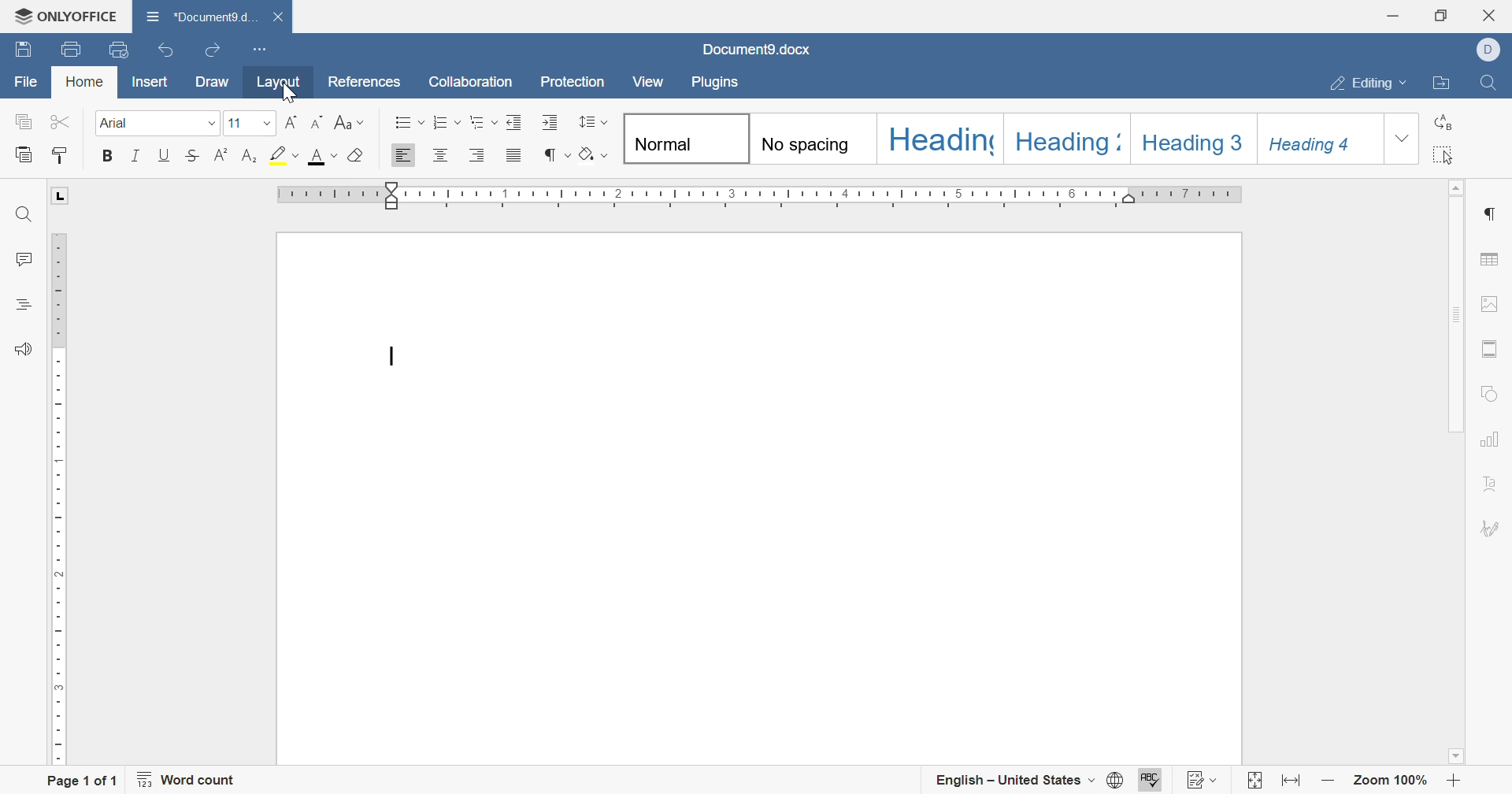  I want to click on document name, so click(755, 50).